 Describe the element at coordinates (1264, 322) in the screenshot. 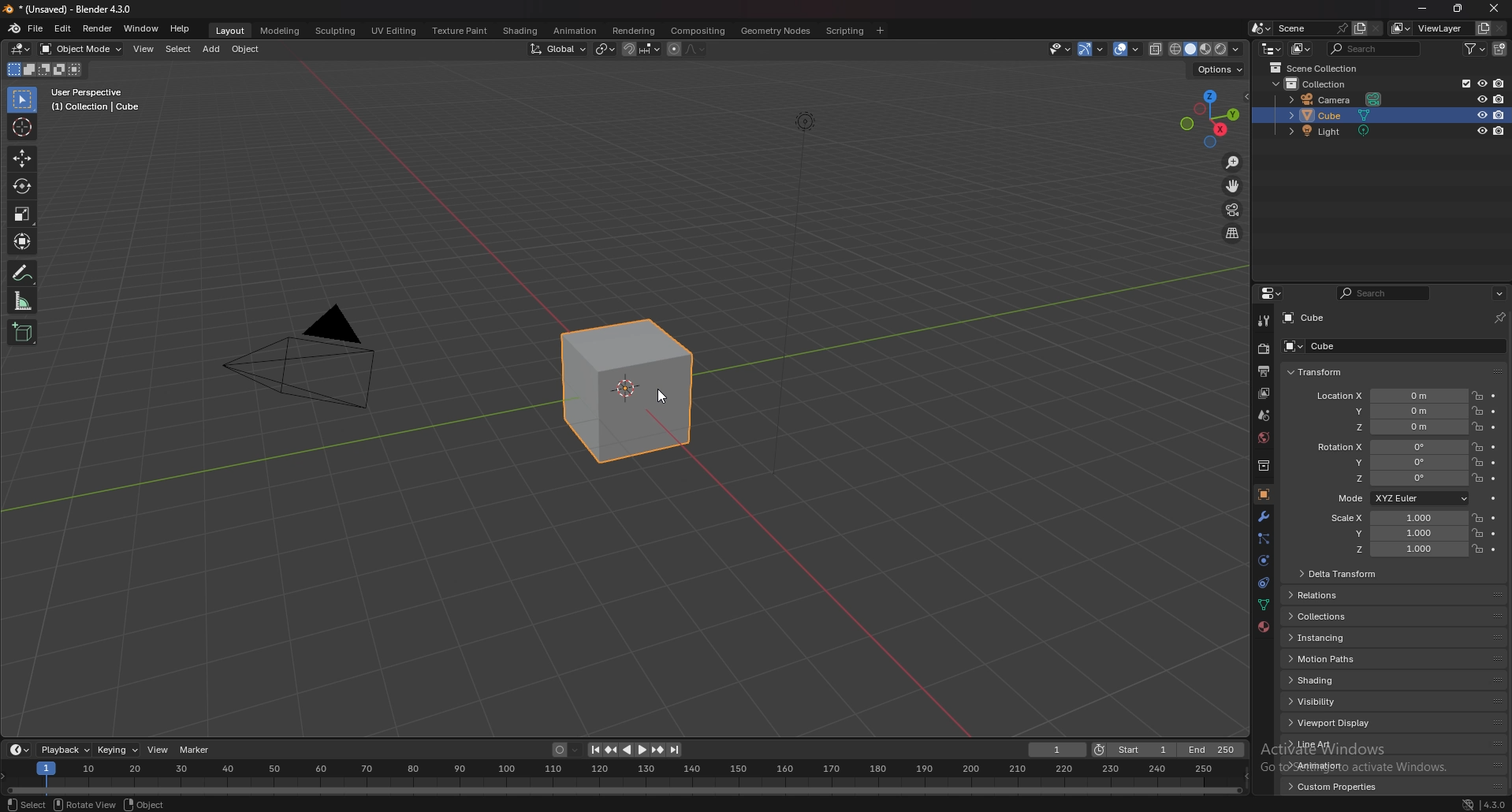

I see `tool` at that location.